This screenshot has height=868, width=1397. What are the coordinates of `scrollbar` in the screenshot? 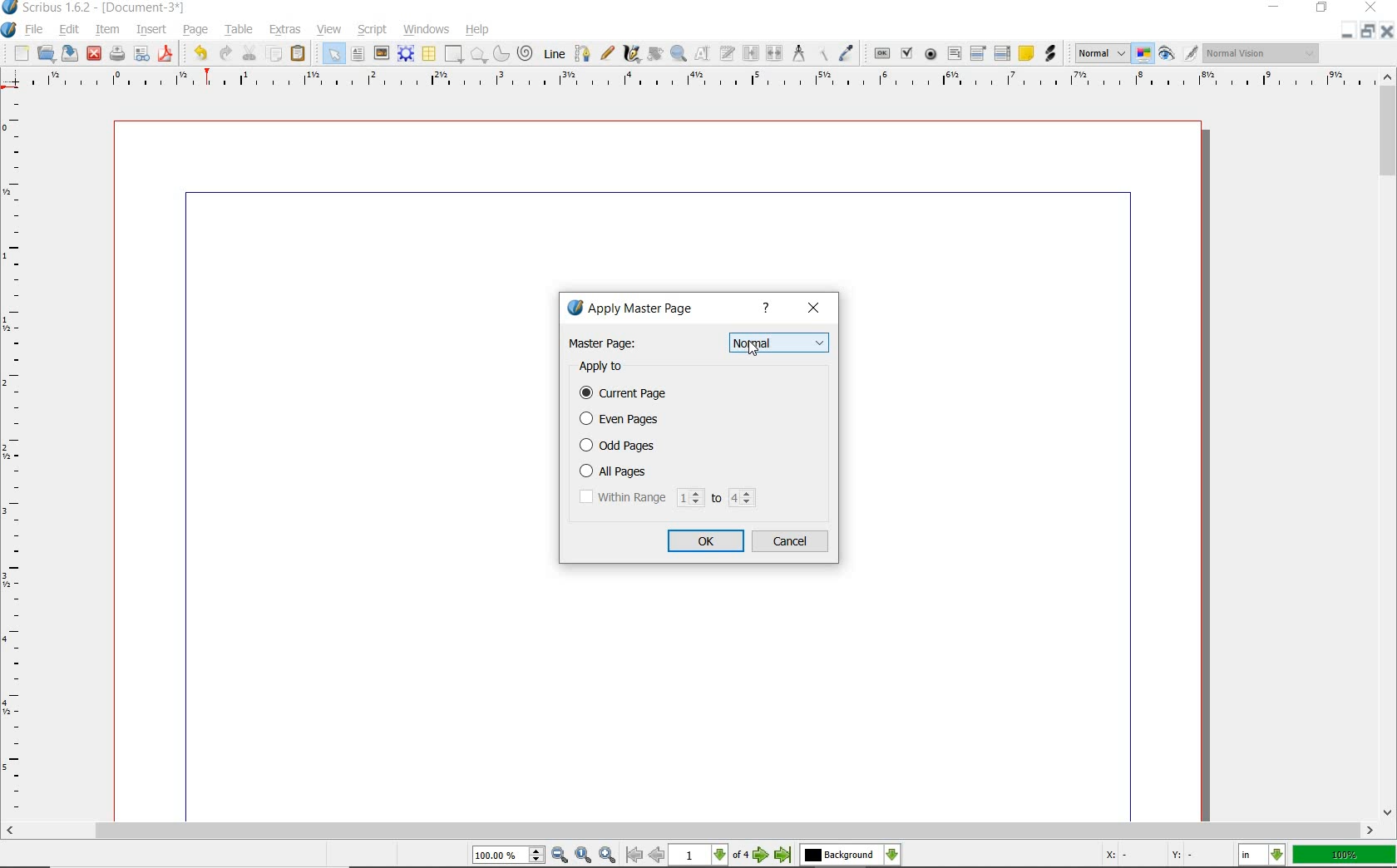 It's located at (690, 831).